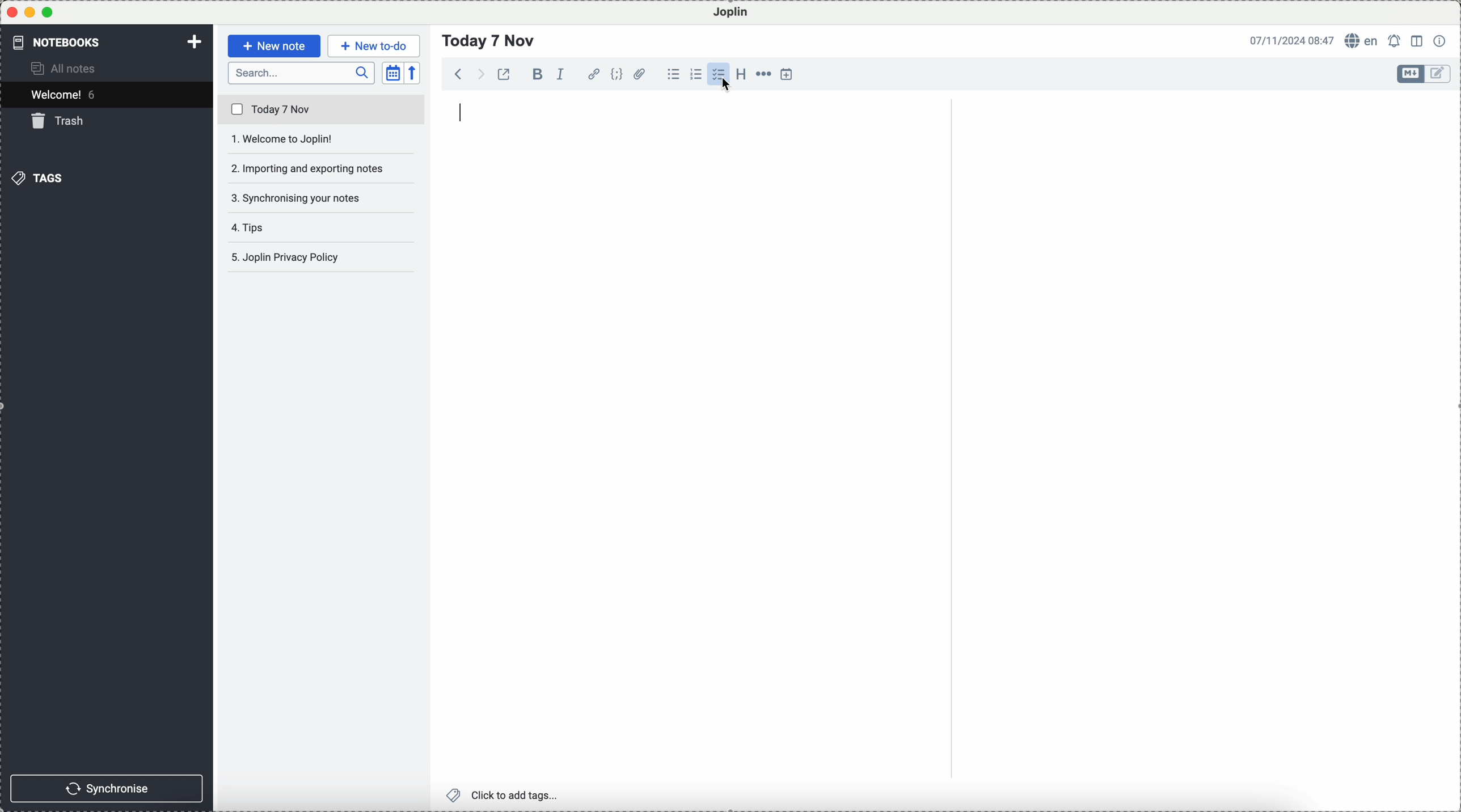 The height and width of the screenshot is (812, 1461). What do you see at coordinates (316, 257) in the screenshot?
I see `Joplin privacy policy` at bounding box center [316, 257].